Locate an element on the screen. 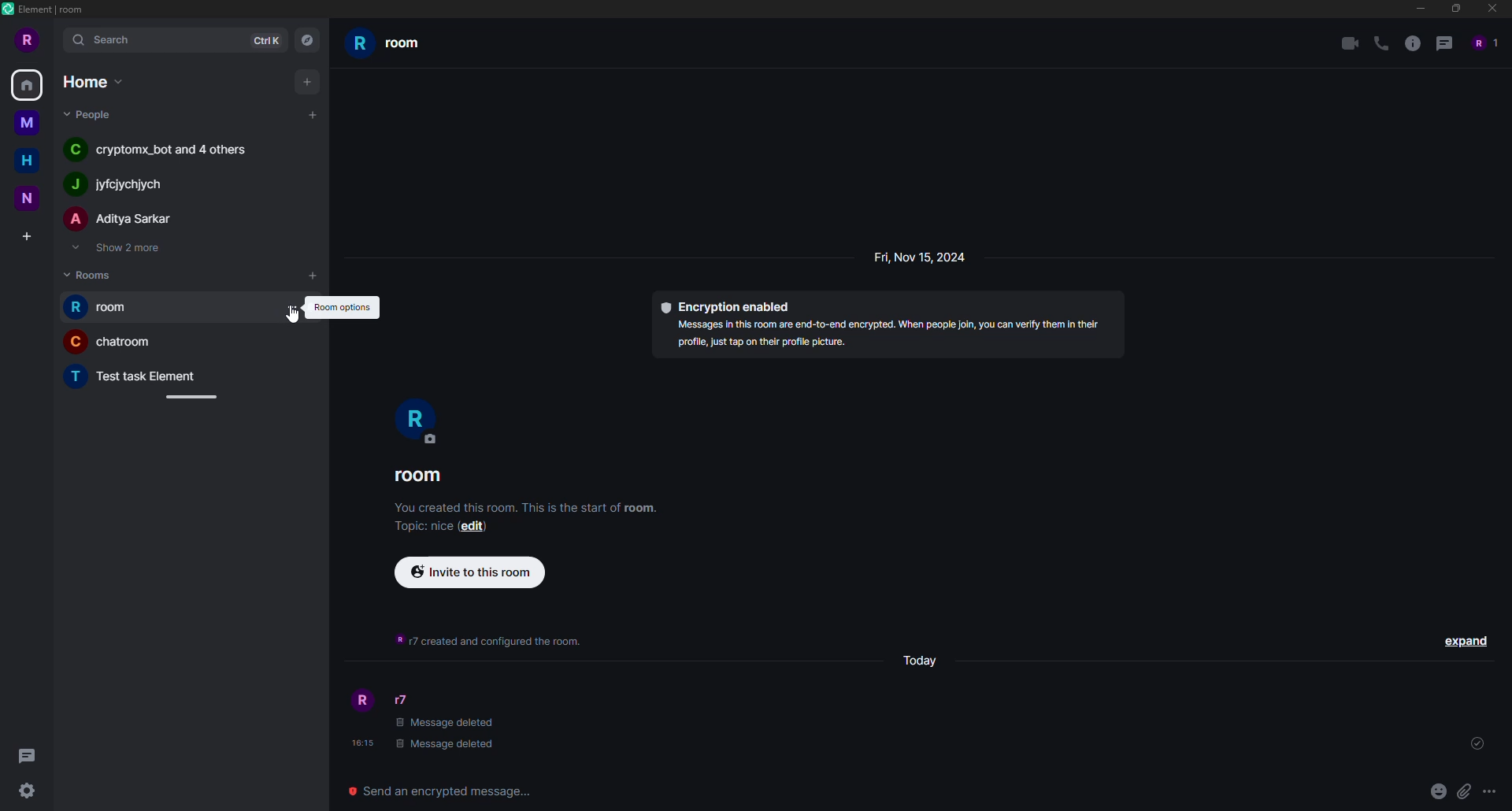 The width and height of the screenshot is (1512, 811). Fri, Nov 15, 2024 is located at coordinates (949, 255).